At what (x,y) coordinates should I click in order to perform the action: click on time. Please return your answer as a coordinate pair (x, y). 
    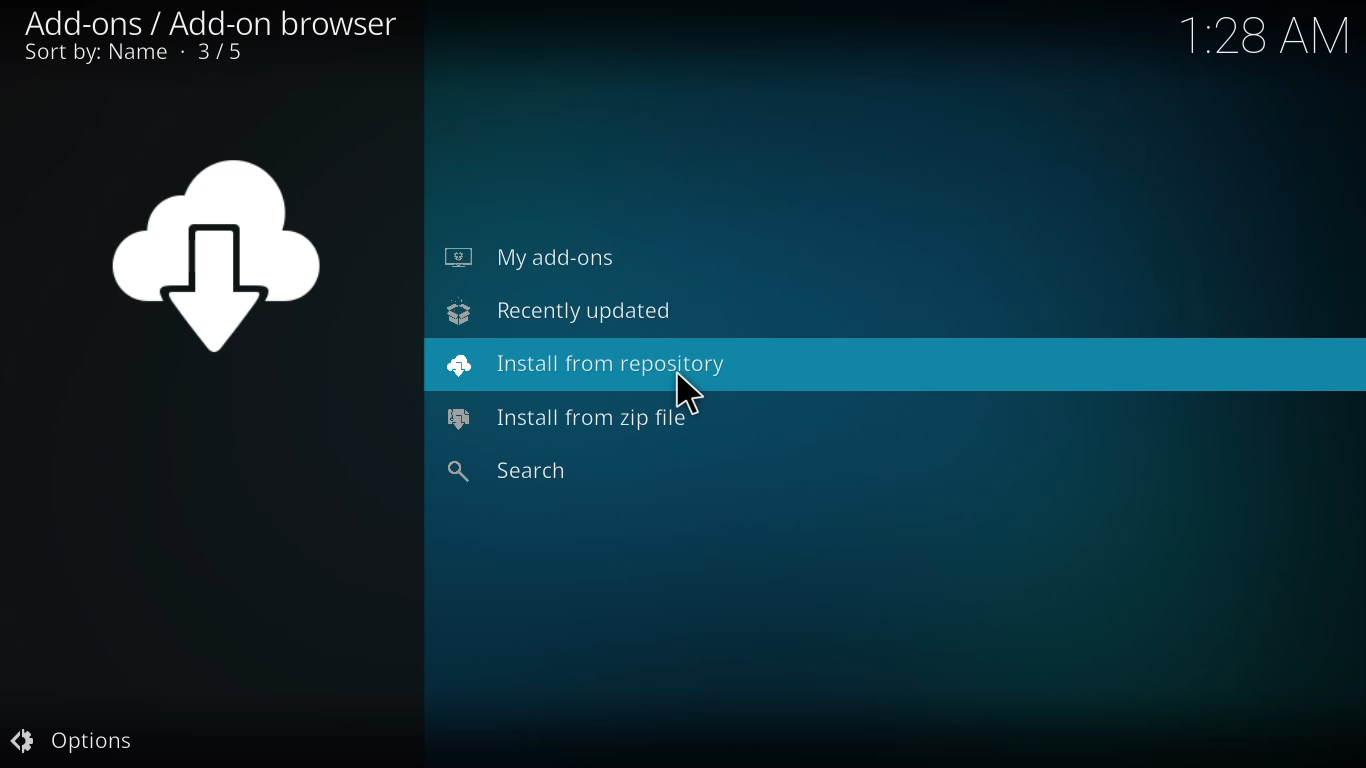
    Looking at the image, I should click on (1267, 36).